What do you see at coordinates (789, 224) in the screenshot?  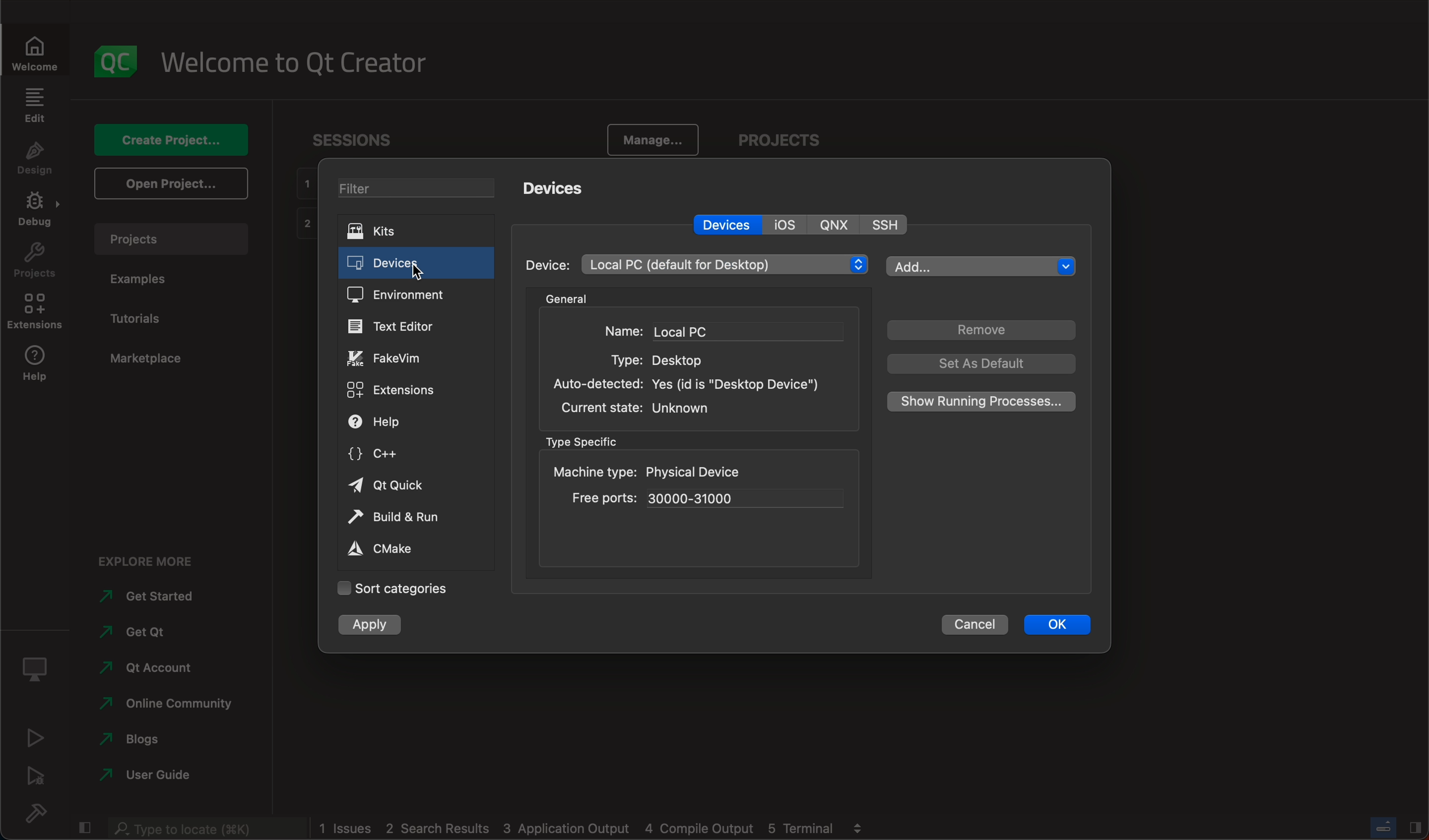 I see `iOS` at bounding box center [789, 224].